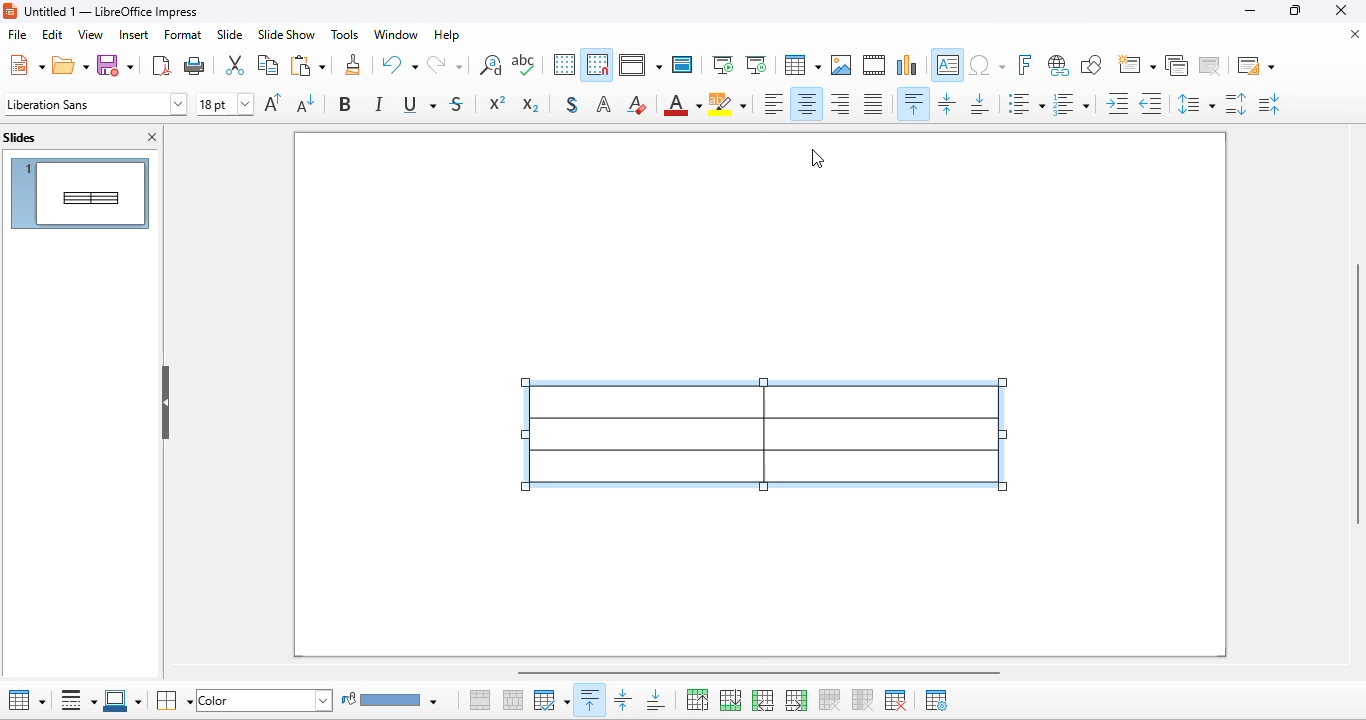 The width and height of the screenshot is (1366, 720). I want to click on maximize, so click(1297, 10).